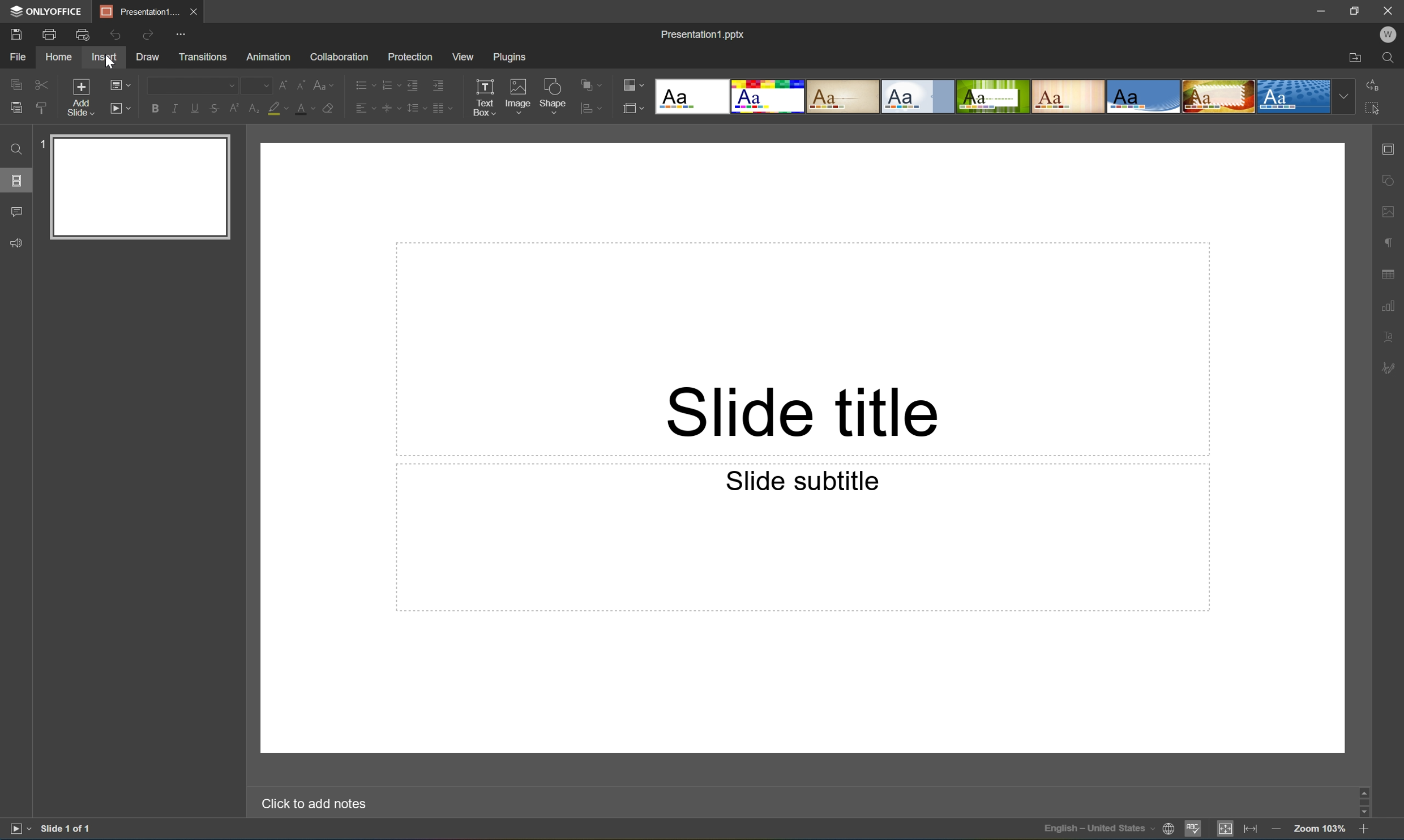 This screenshot has height=840, width=1404. What do you see at coordinates (1364, 788) in the screenshot?
I see `Scroll Up` at bounding box center [1364, 788].